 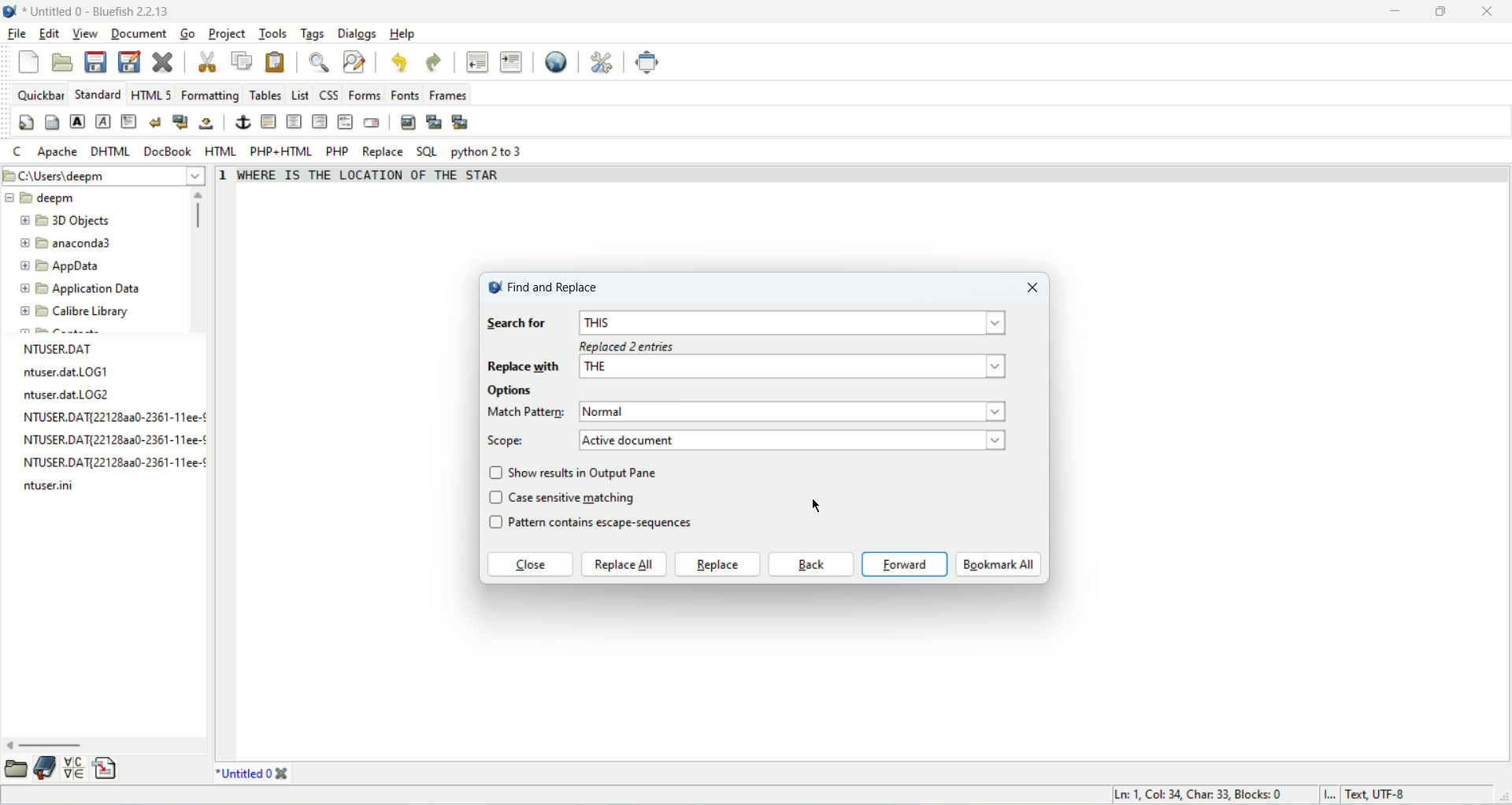 What do you see at coordinates (527, 402) in the screenshot?
I see `options Match pattern` at bounding box center [527, 402].